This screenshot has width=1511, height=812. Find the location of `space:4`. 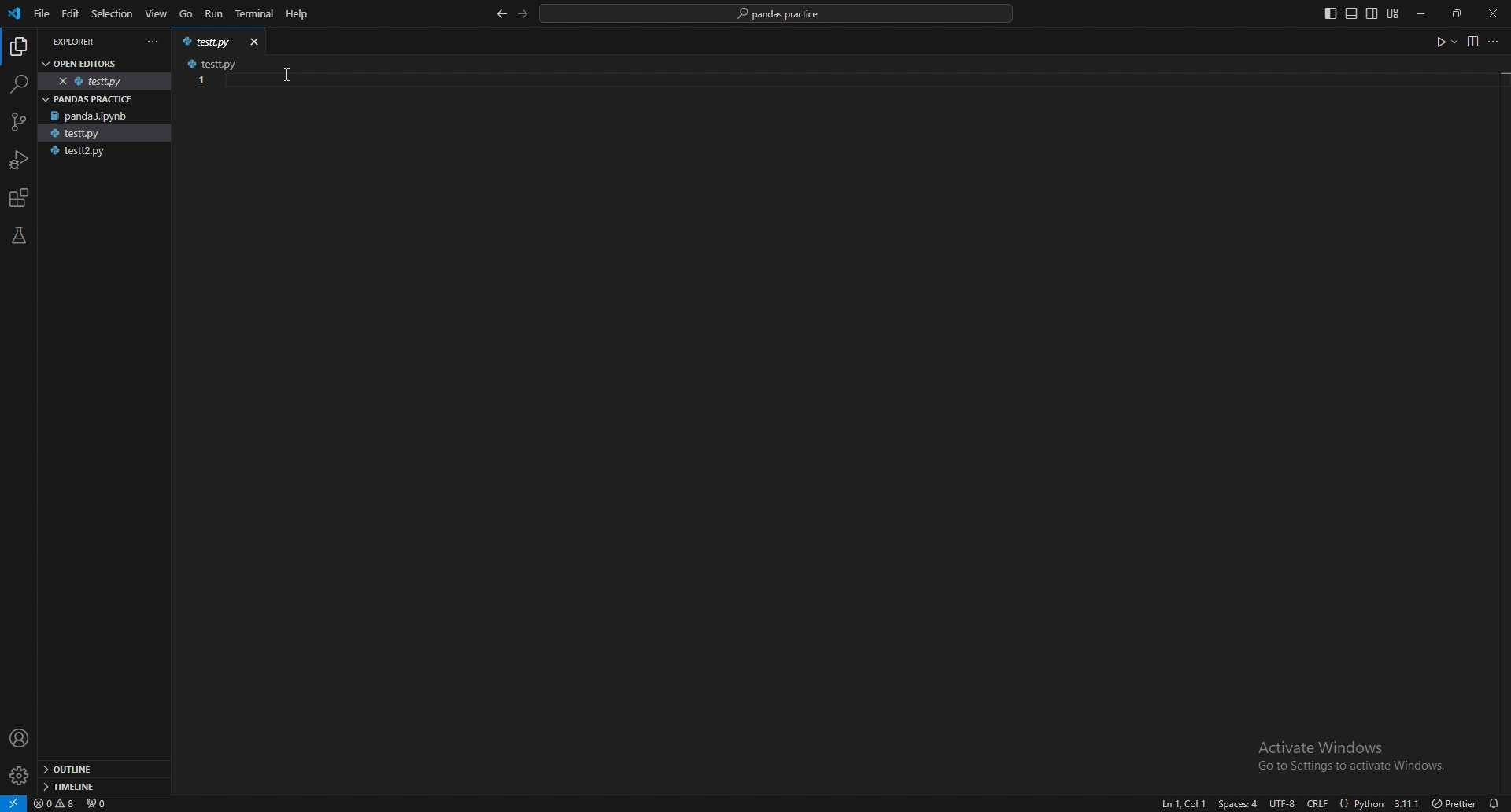

space:4 is located at coordinates (1236, 803).